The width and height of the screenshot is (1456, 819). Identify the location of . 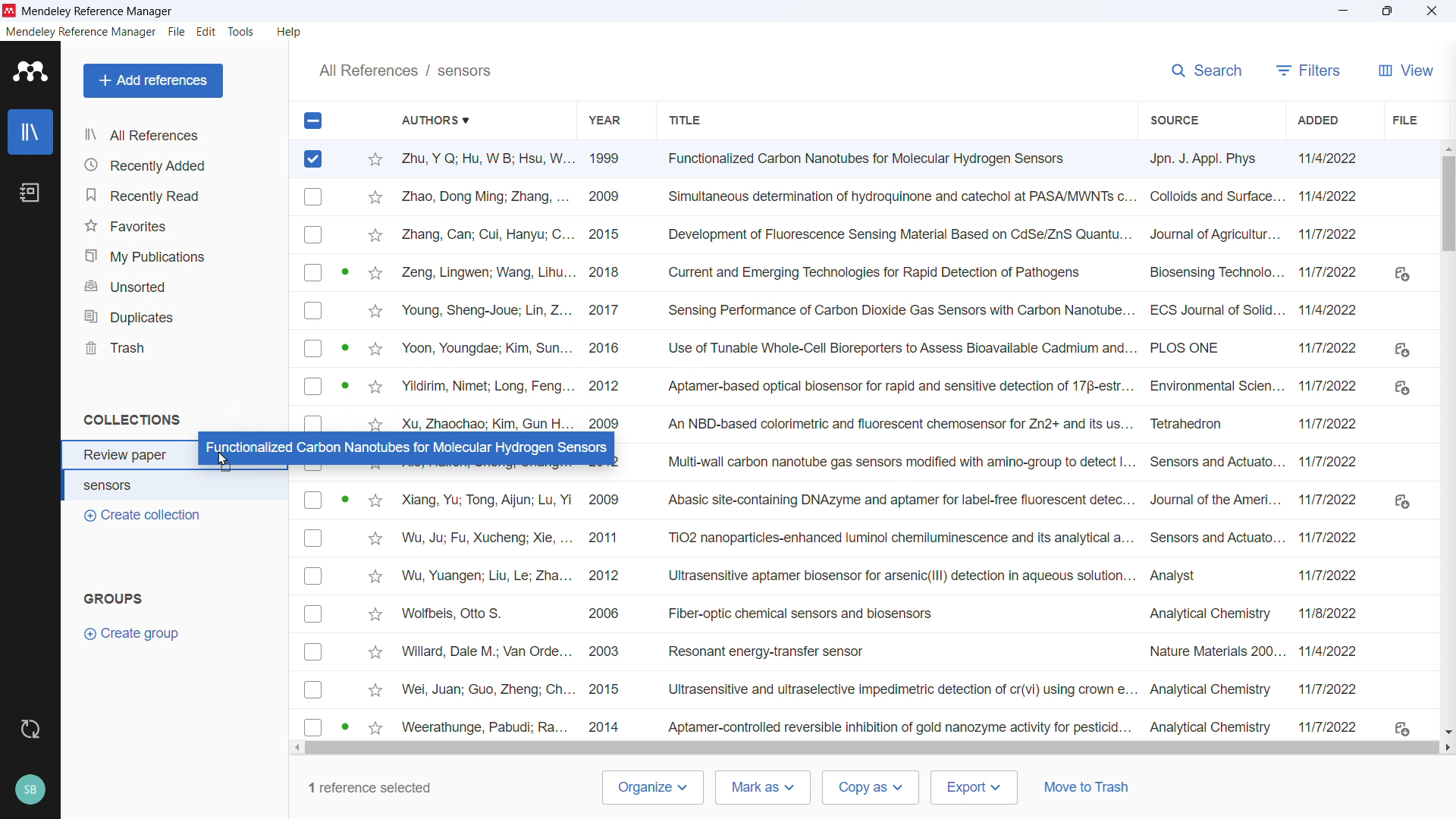
(1431, 11).